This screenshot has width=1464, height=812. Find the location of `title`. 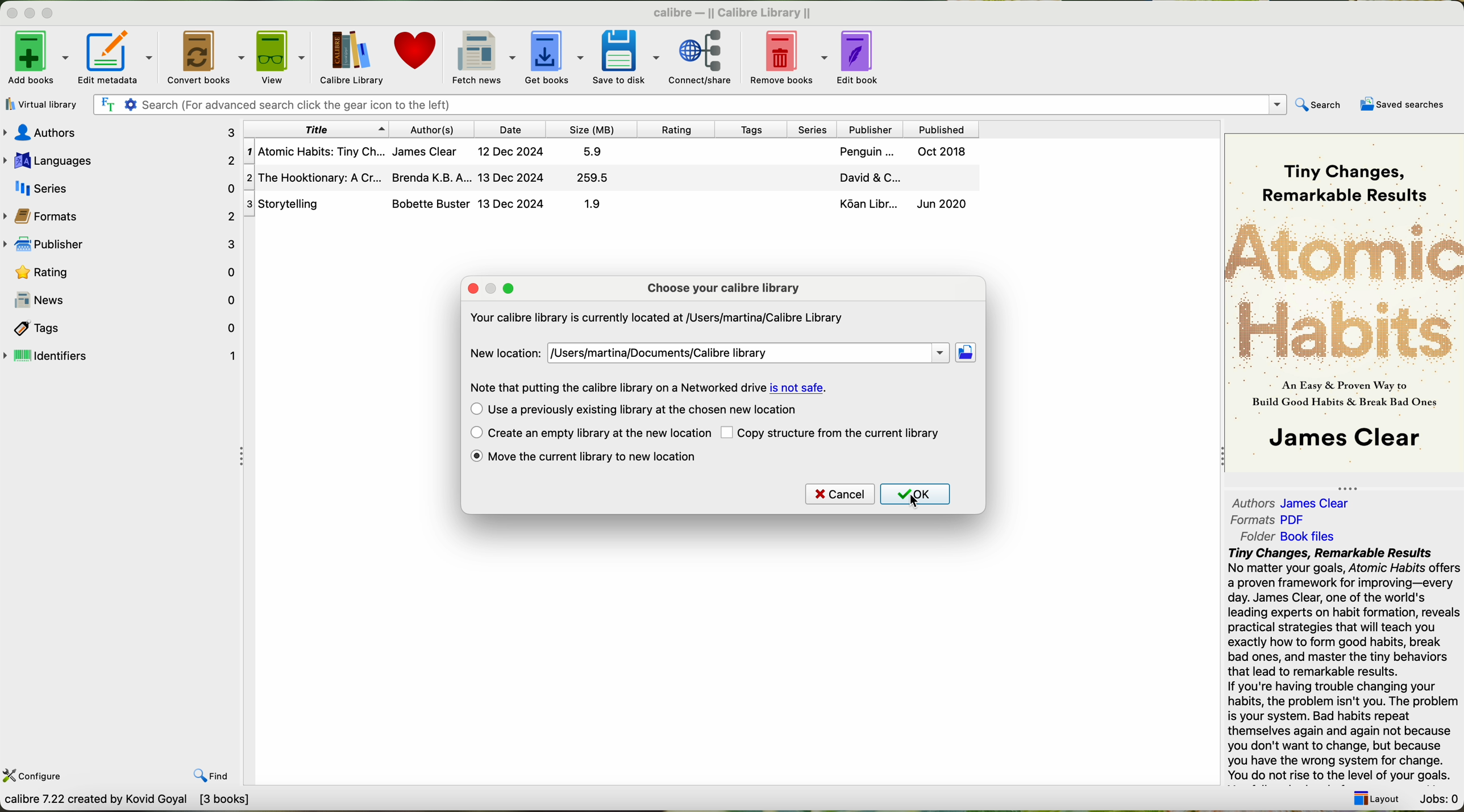

title is located at coordinates (315, 130).